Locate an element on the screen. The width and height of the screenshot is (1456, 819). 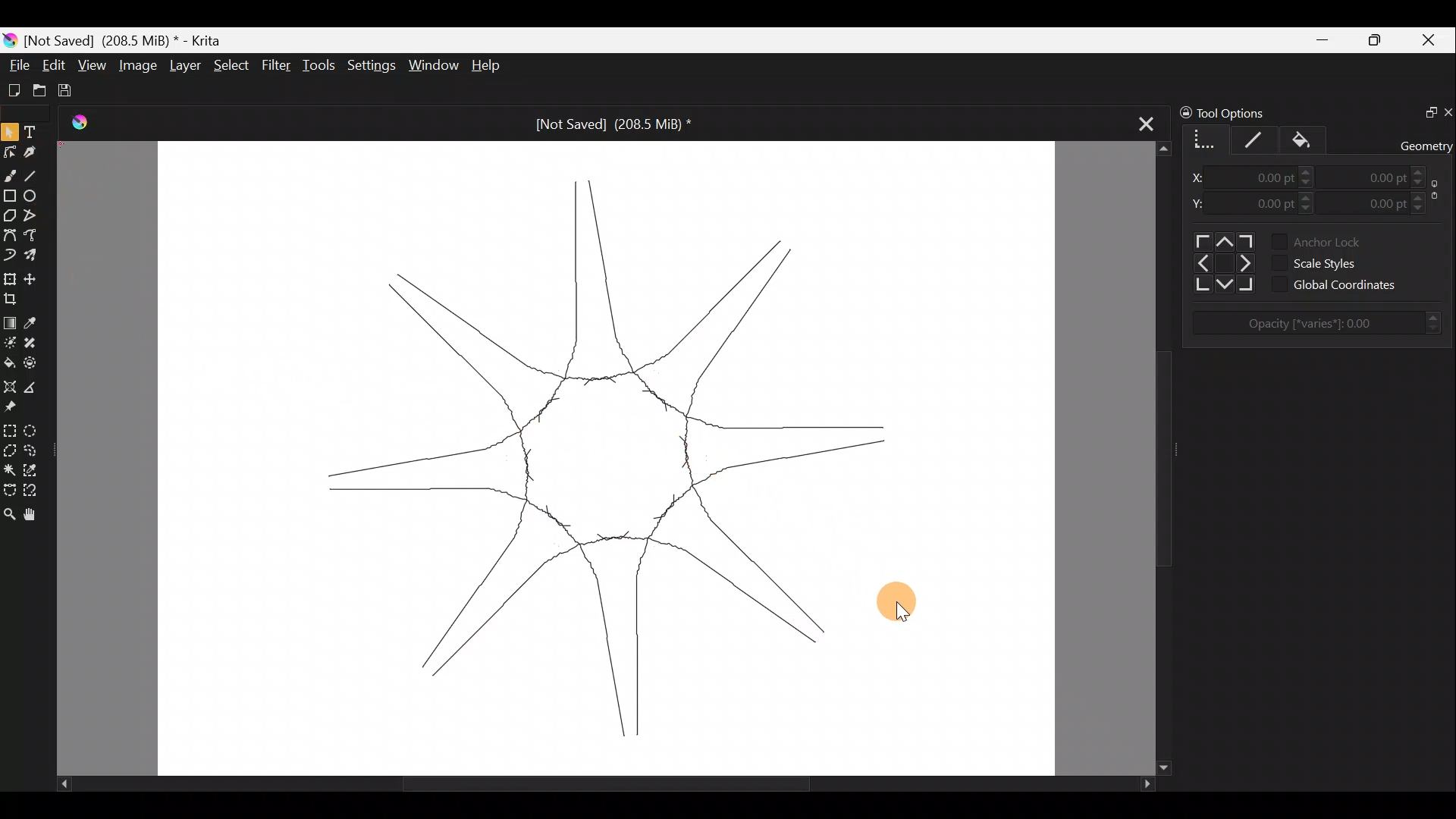
Rectangular selection tool is located at coordinates (9, 428).